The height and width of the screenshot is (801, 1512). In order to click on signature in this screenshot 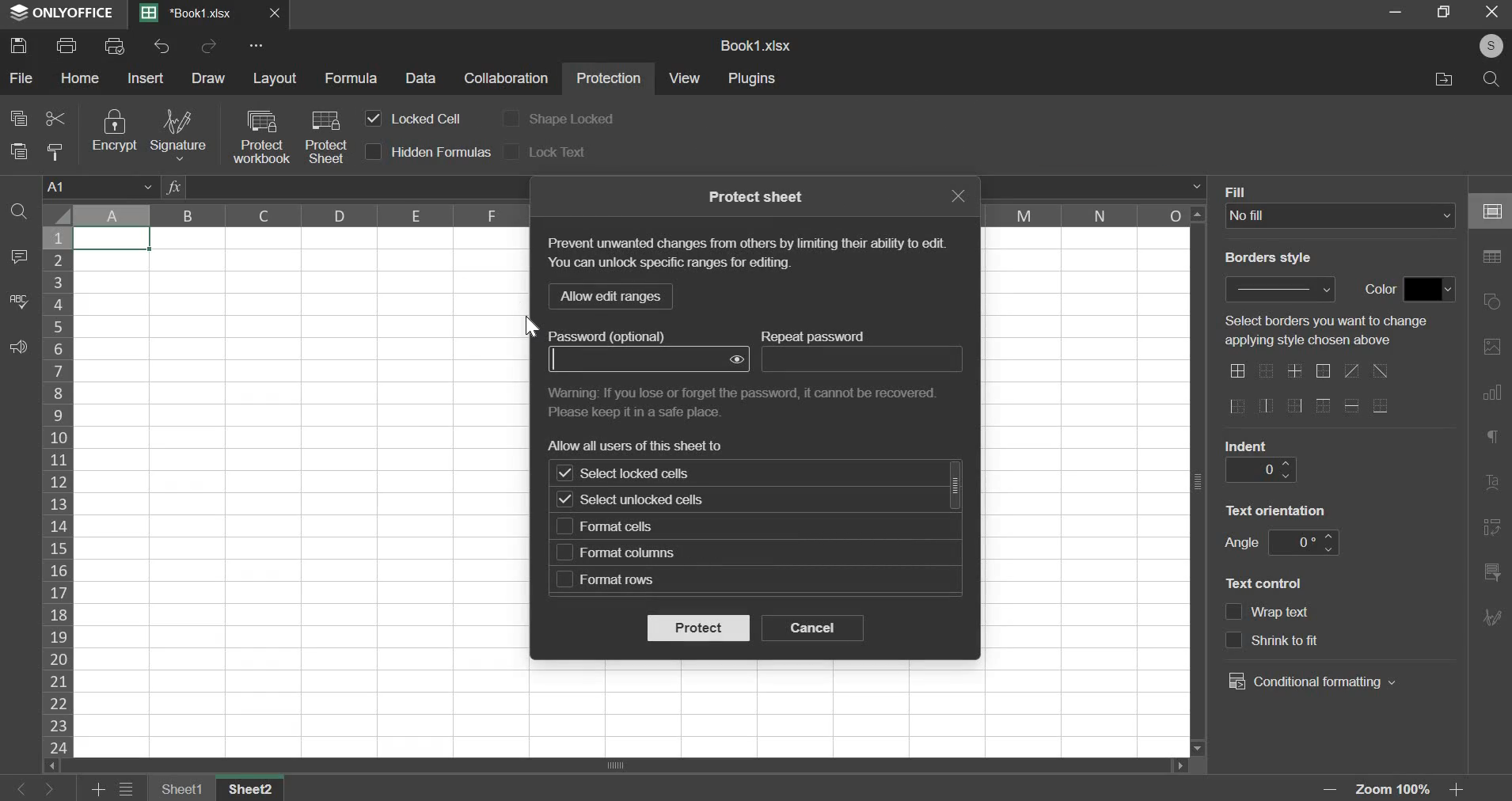, I will do `click(177, 135)`.